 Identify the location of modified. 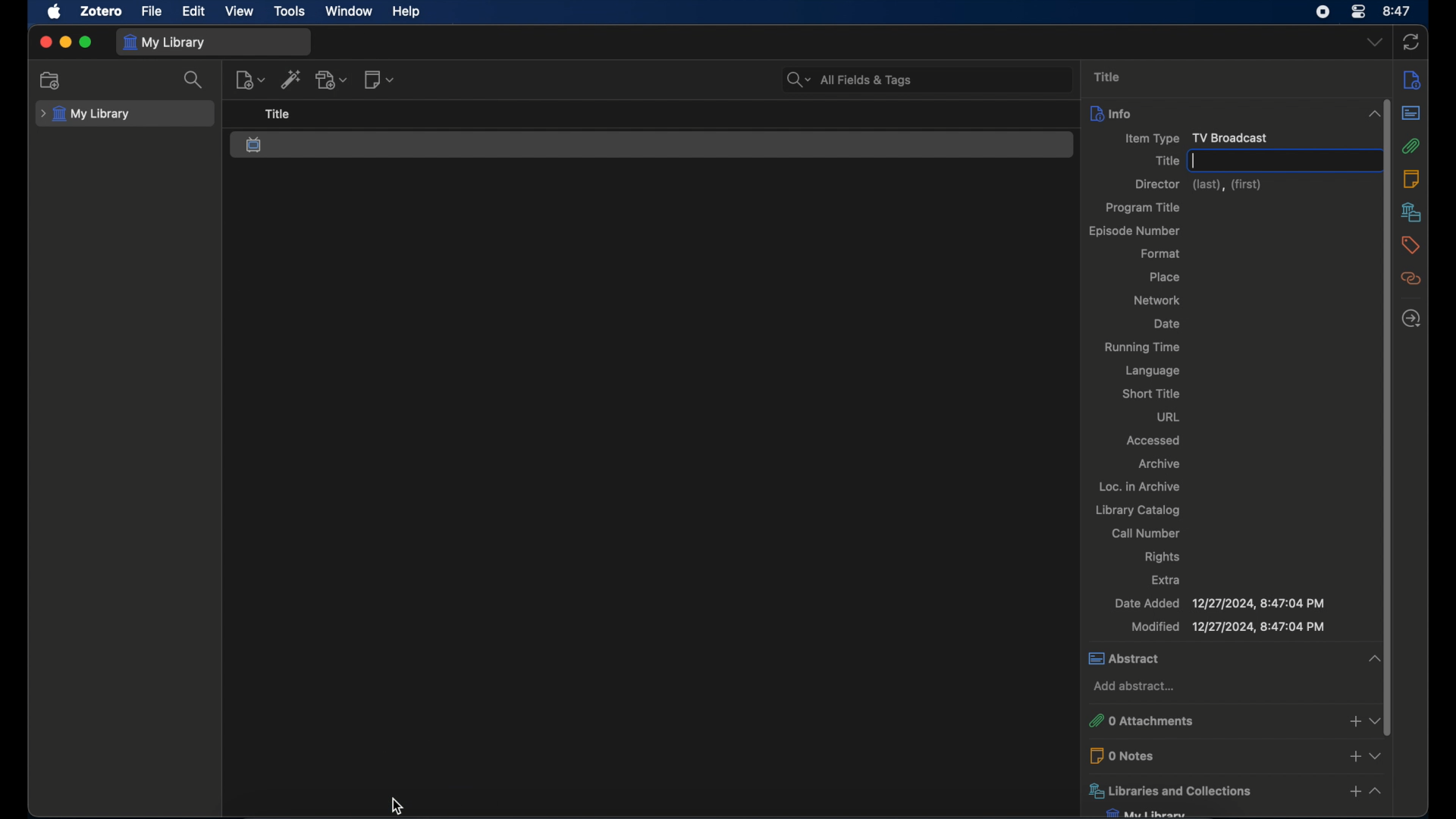
(1228, 627).